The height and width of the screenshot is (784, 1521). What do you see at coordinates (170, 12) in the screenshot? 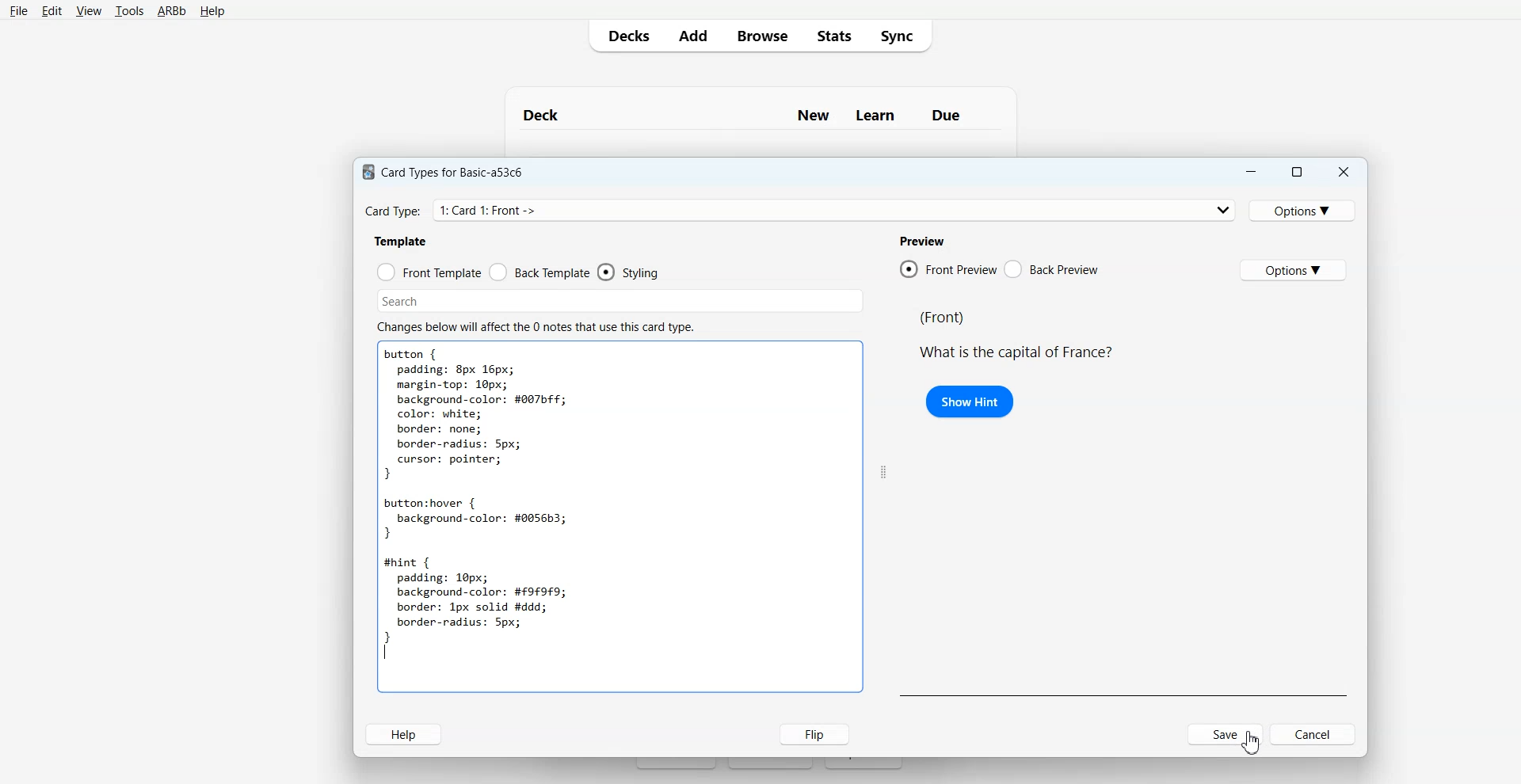
I see `ARBb` at bounding box center [170, 12].